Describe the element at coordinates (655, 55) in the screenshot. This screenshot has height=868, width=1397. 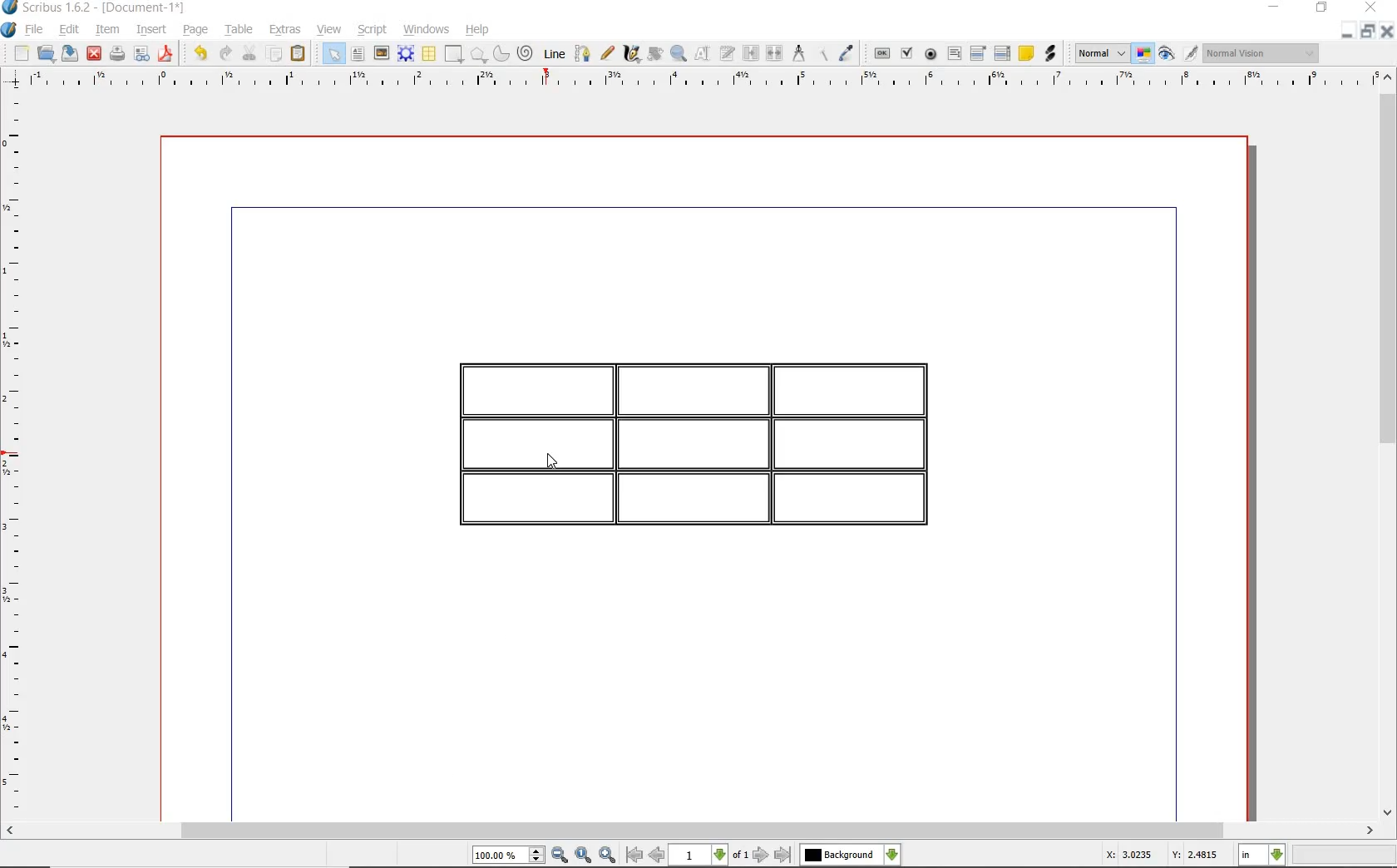
I see `rotate item` at that location.